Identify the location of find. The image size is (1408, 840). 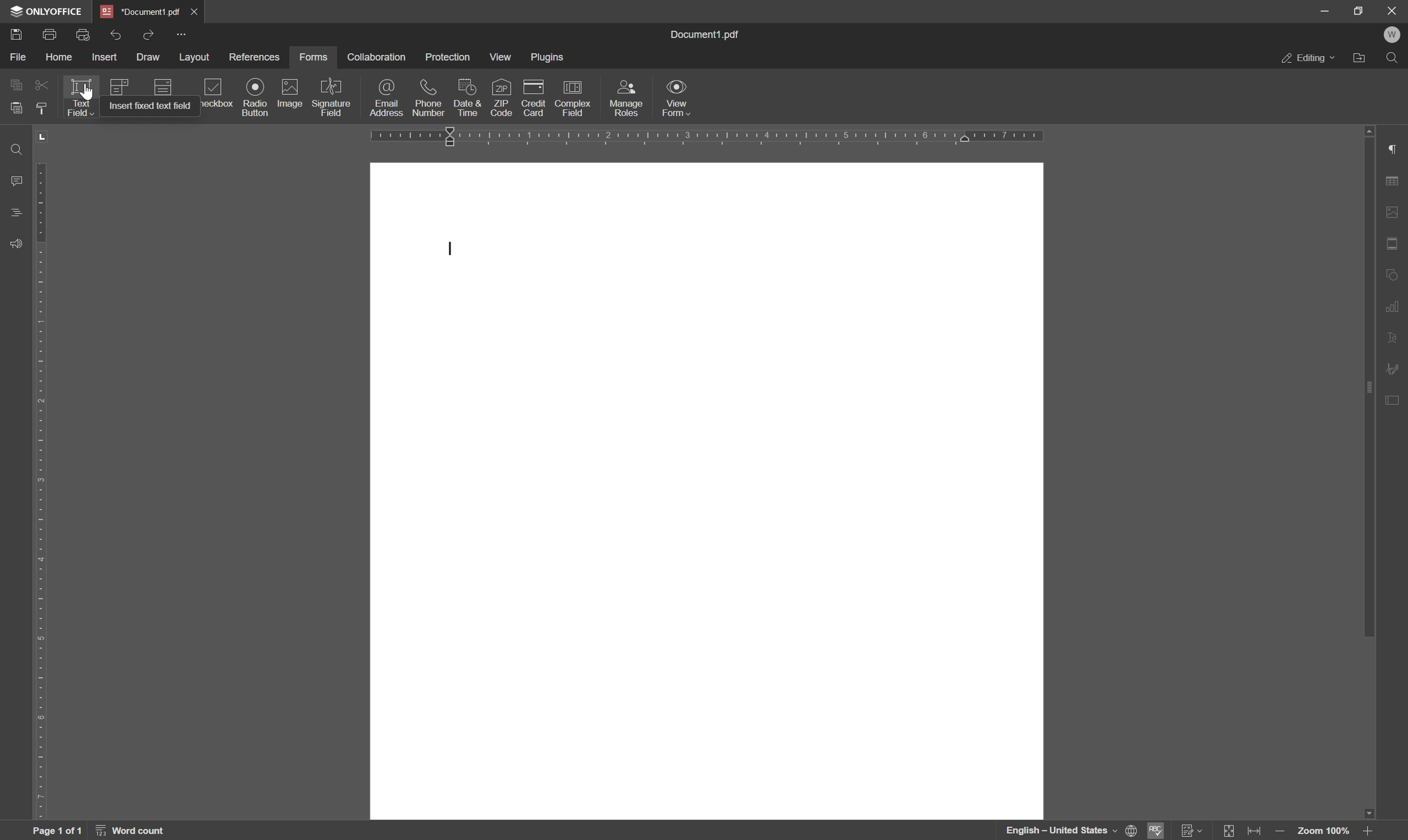
(15, 147).